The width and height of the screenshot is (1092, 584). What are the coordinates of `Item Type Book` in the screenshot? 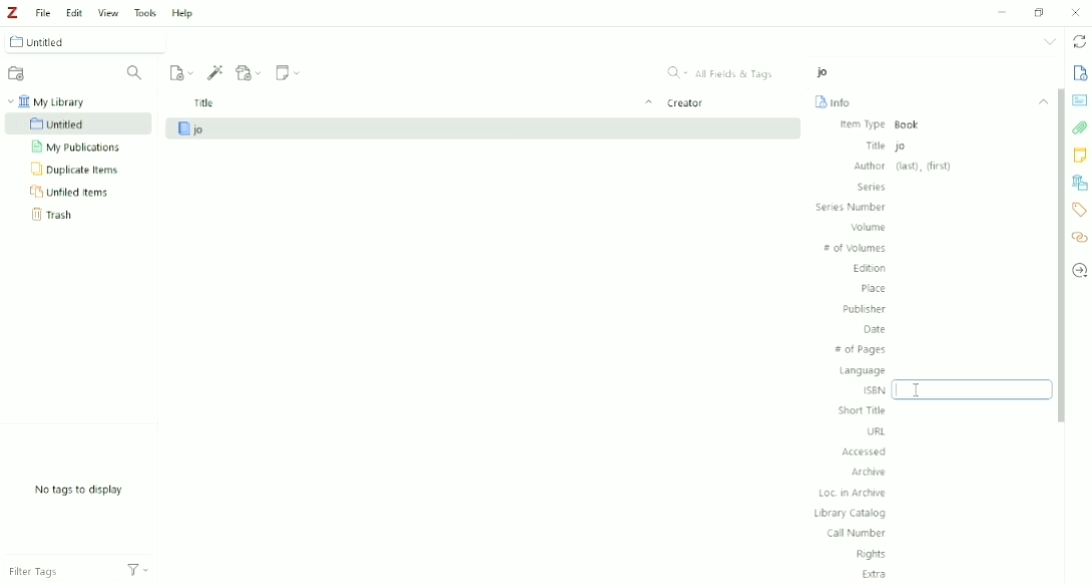 It's located at (889, 125).